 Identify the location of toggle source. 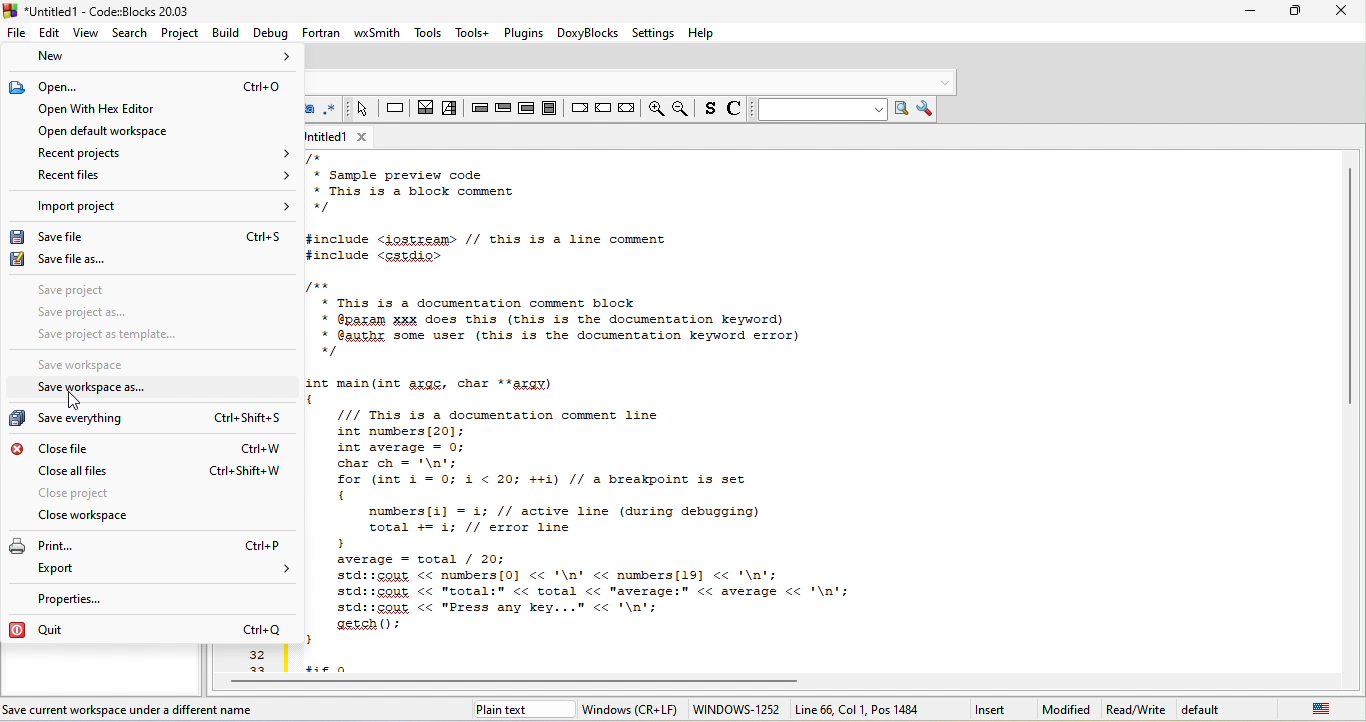
(709, 111).